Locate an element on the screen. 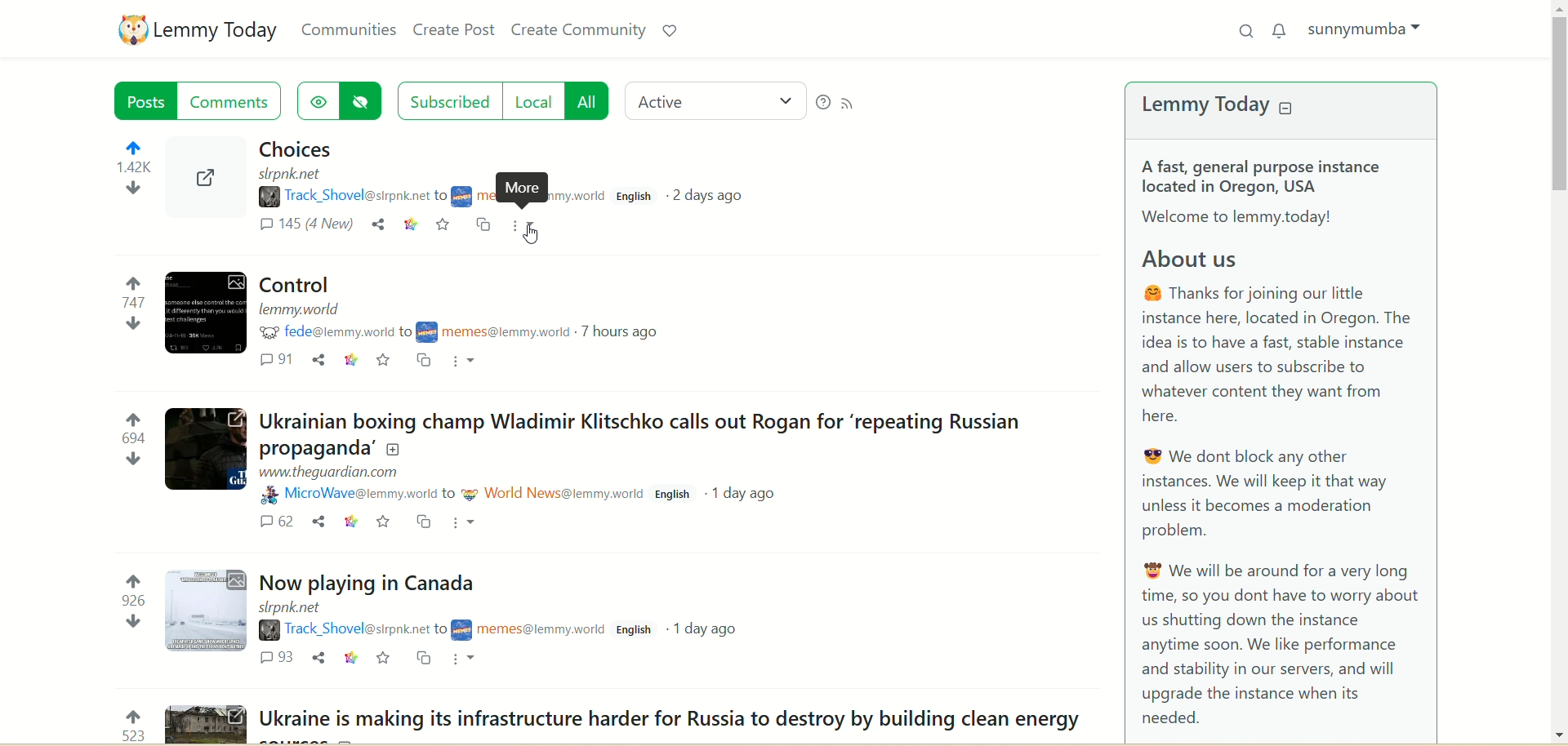 This screenshot has height=746, width=1568. share is located at coordinates (379, 224).